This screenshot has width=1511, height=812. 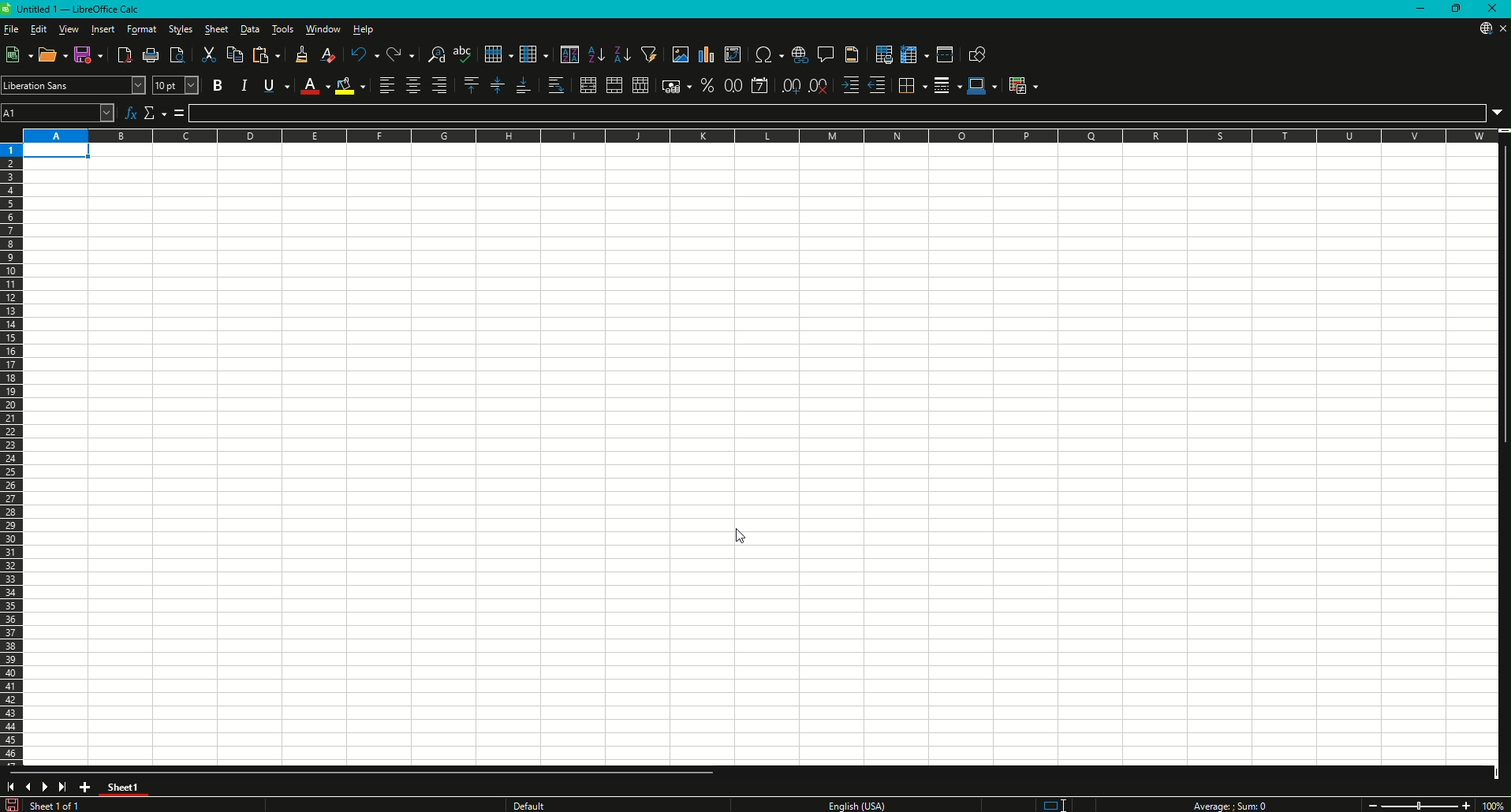 What do you see at coordinates (741, 537) in the screenshot?
I see `cursor` at bounding box center [741, 537].